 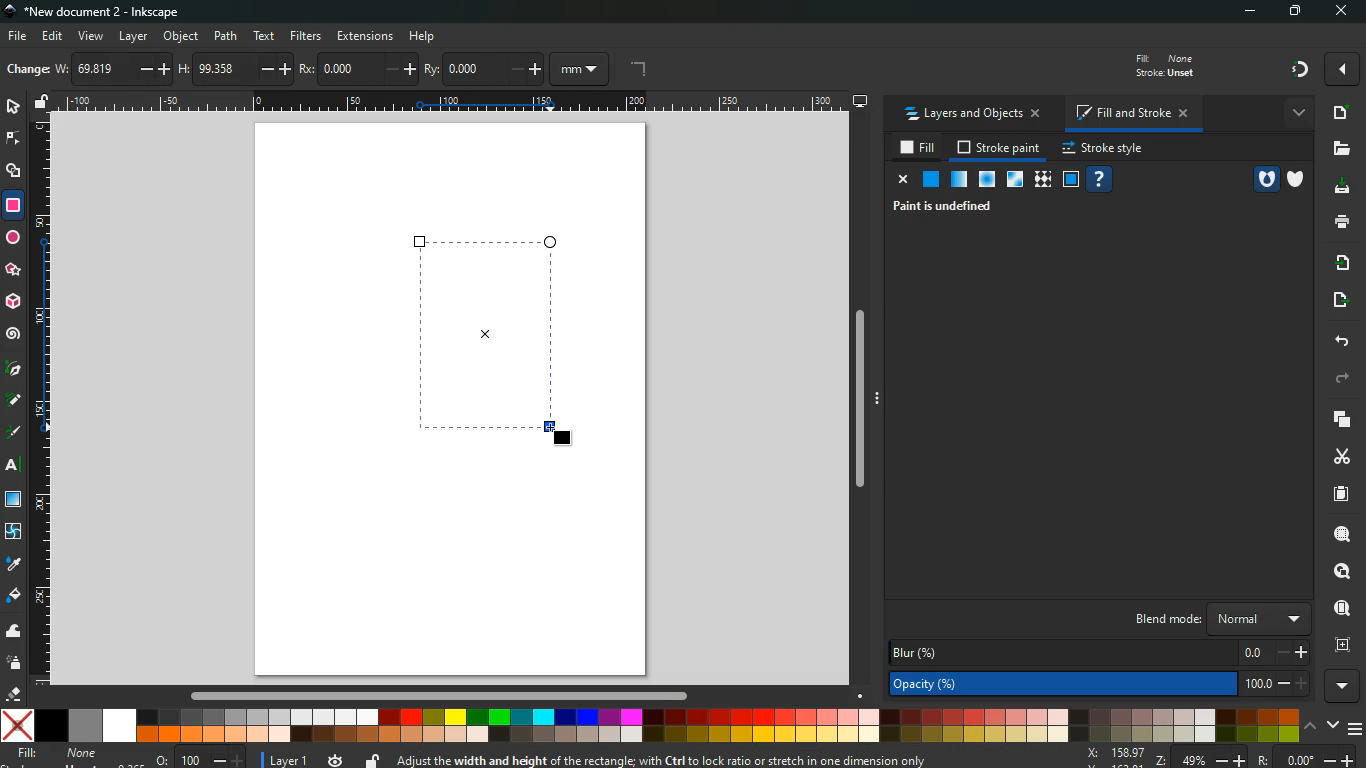 I want to click on rectangle, so click(x=510, y=335).